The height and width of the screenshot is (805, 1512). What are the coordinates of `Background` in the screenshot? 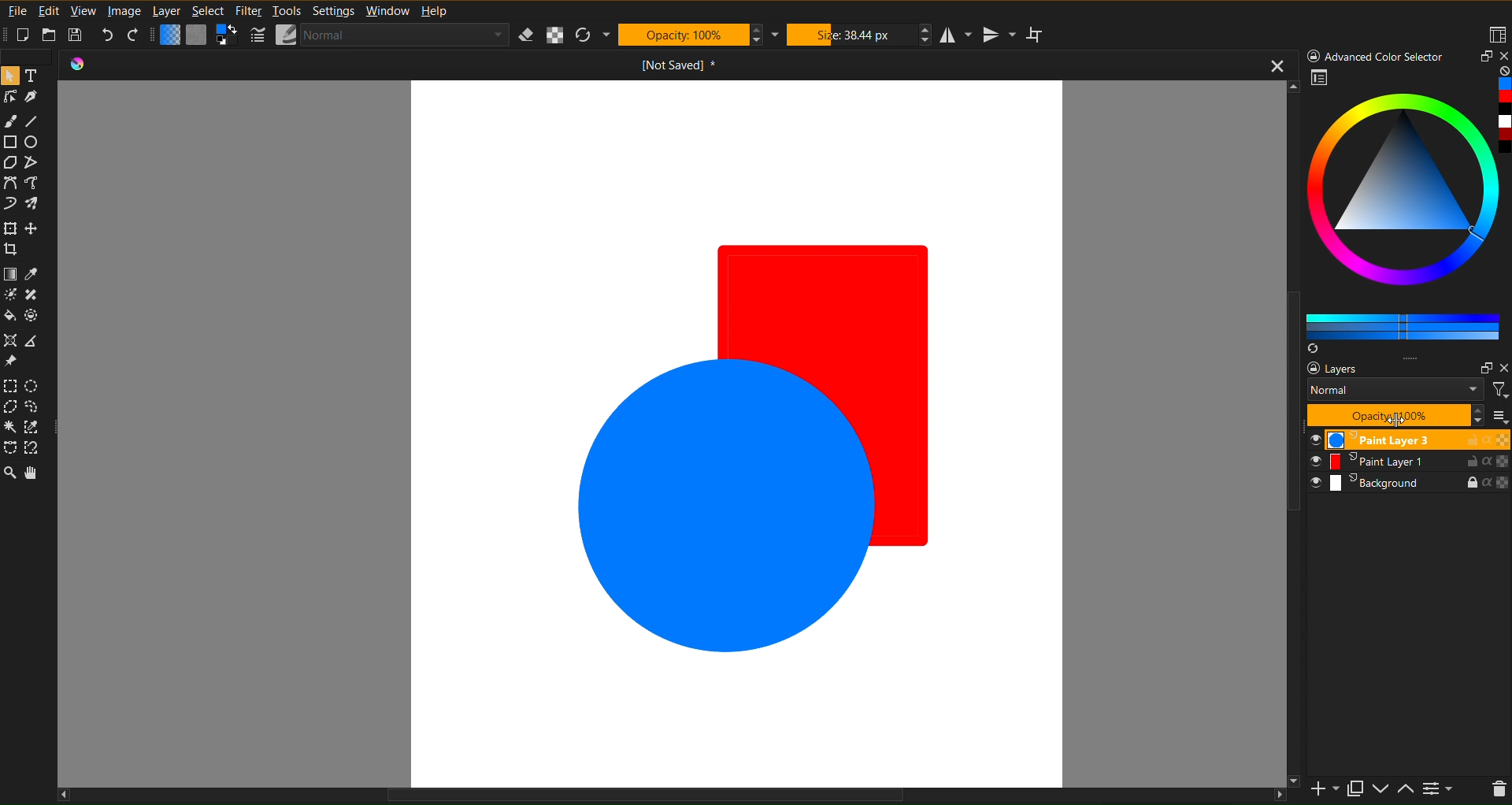 It's located at (1409, 484).